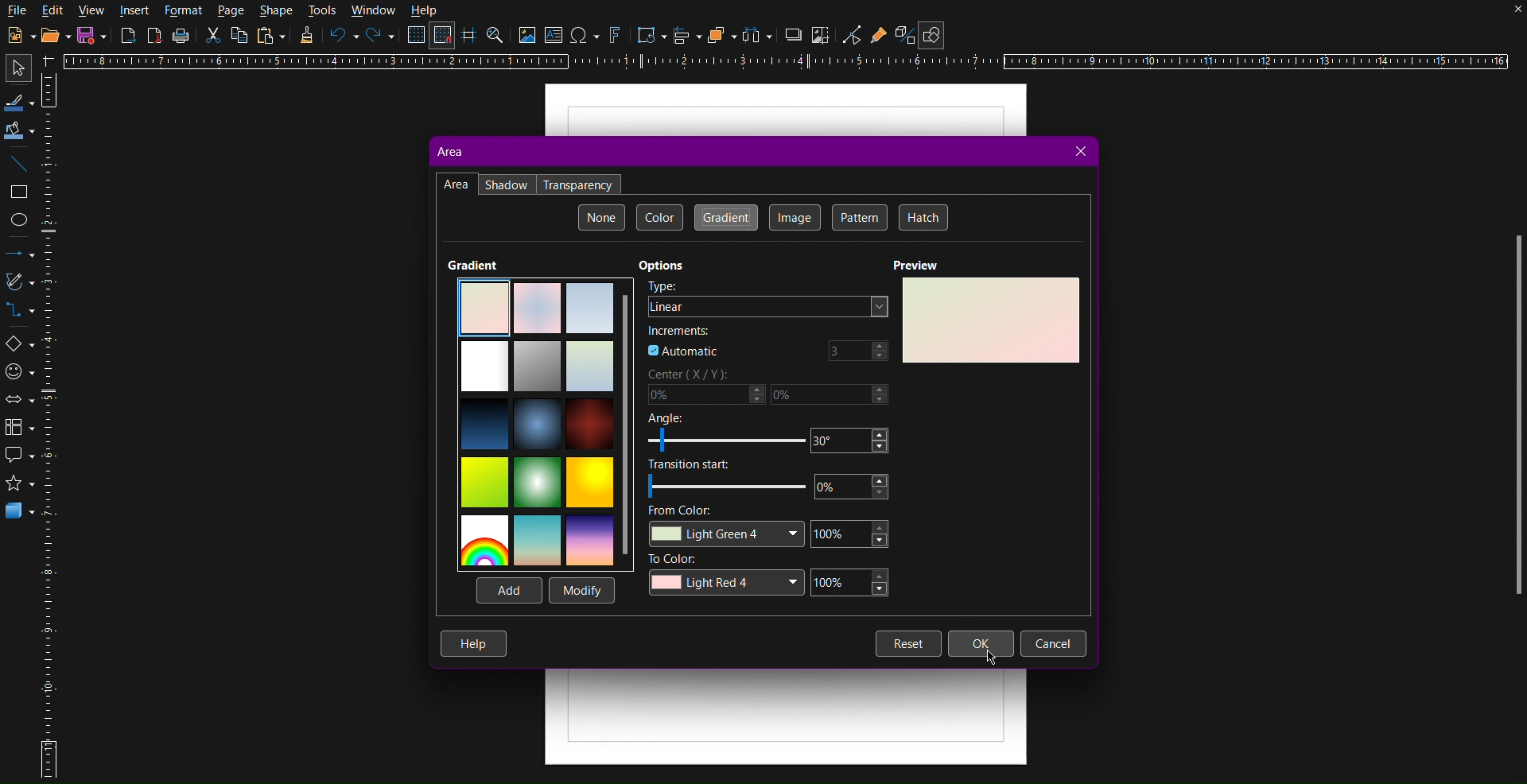  I want to click on Reset, so click(907, 643).